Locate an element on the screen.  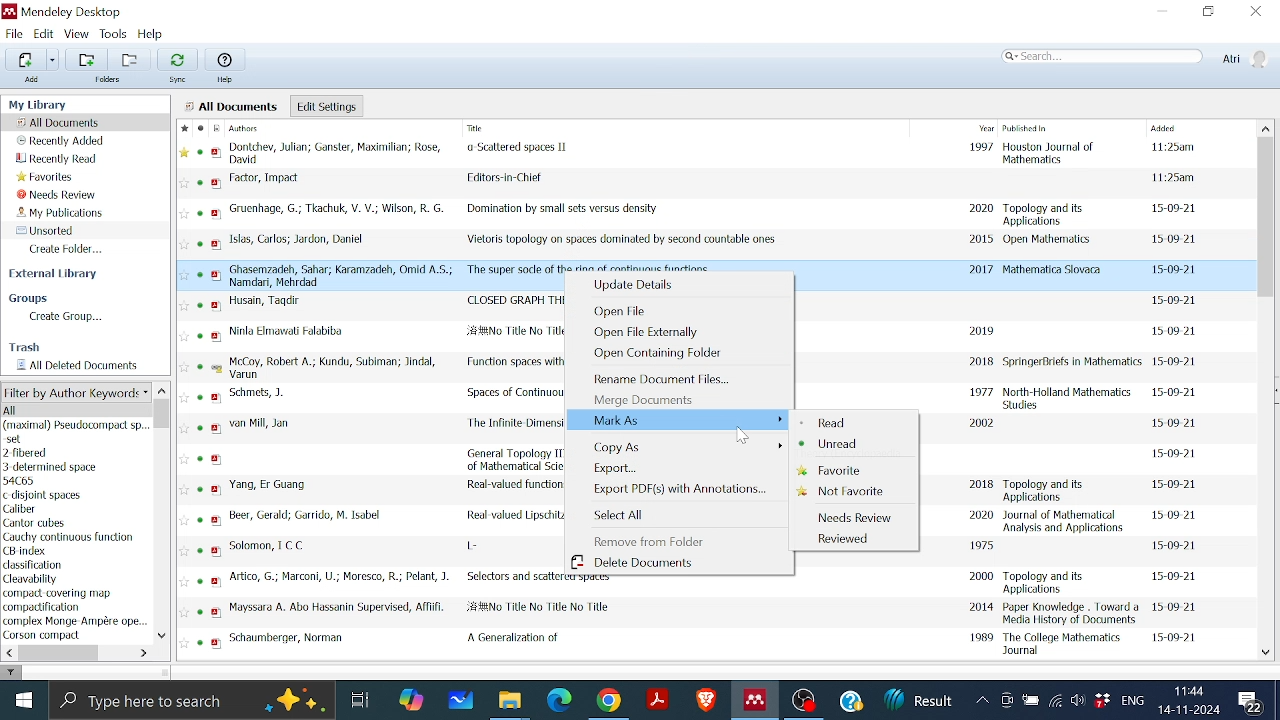
Groups is located at coordinates (29, 299).